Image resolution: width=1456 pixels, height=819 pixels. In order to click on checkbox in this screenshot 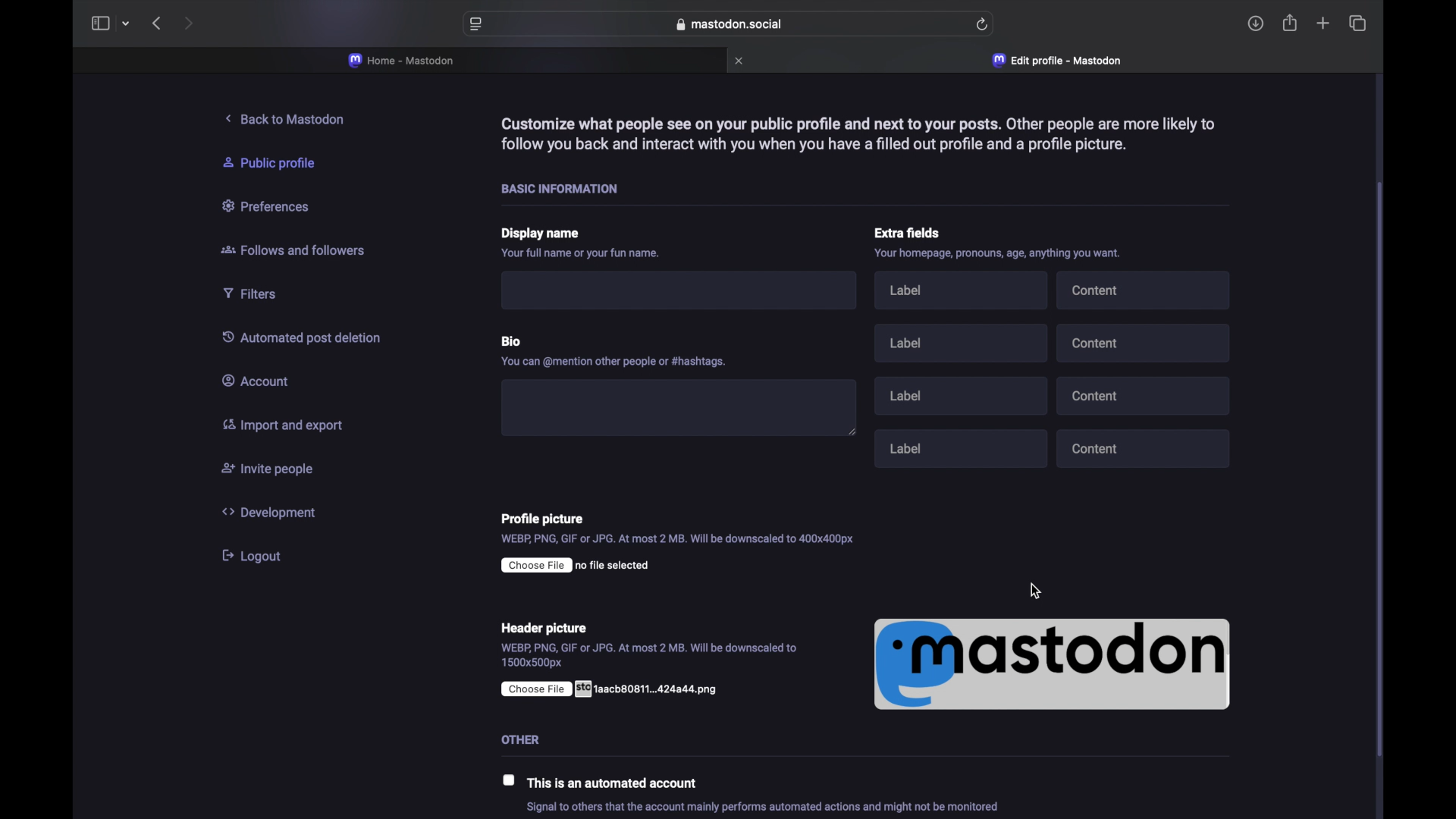, I will do `click(509, 780)`.